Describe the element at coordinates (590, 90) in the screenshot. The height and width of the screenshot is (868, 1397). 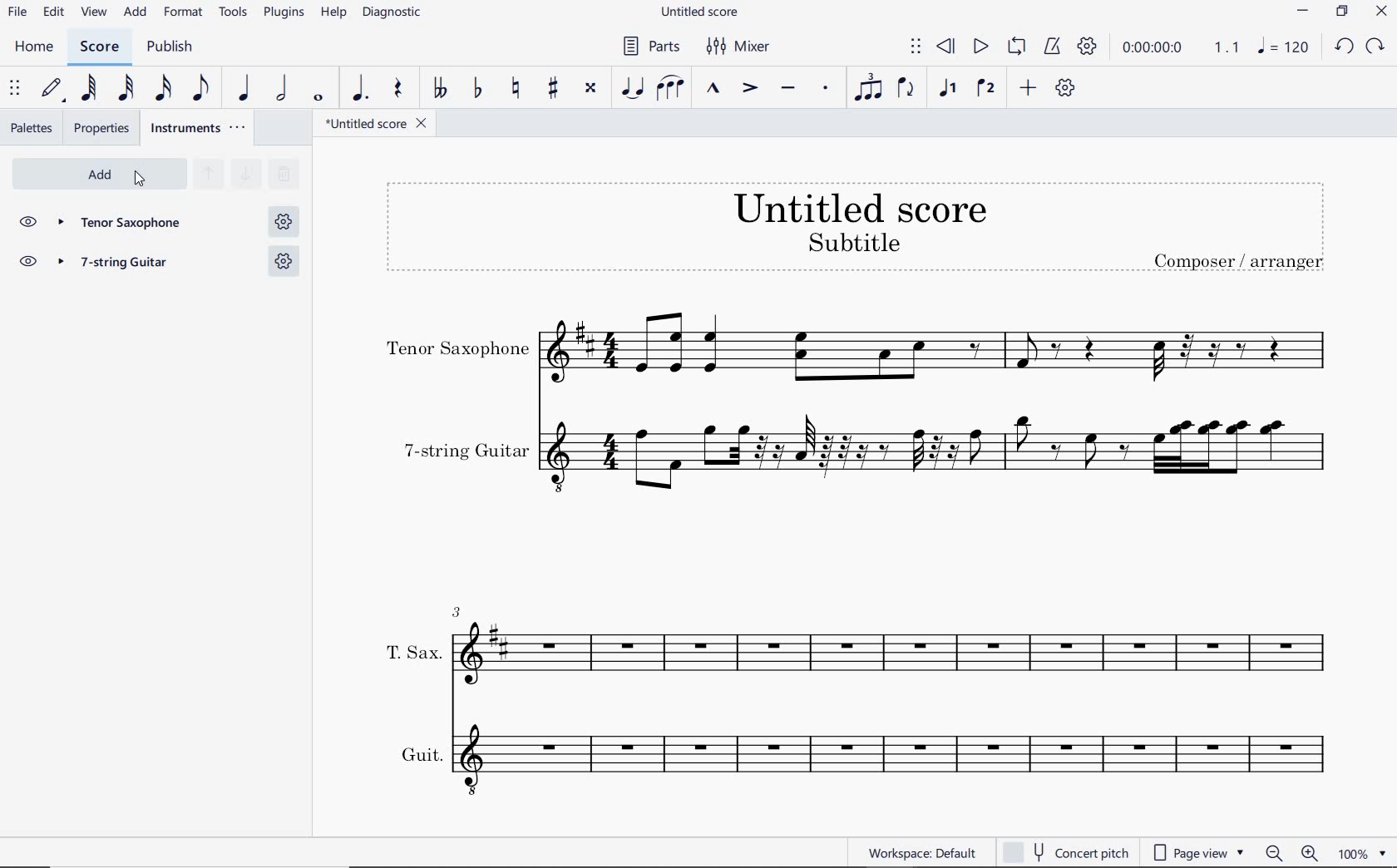
I see `TOGGLE DOUBLE-SHARP` at that location.